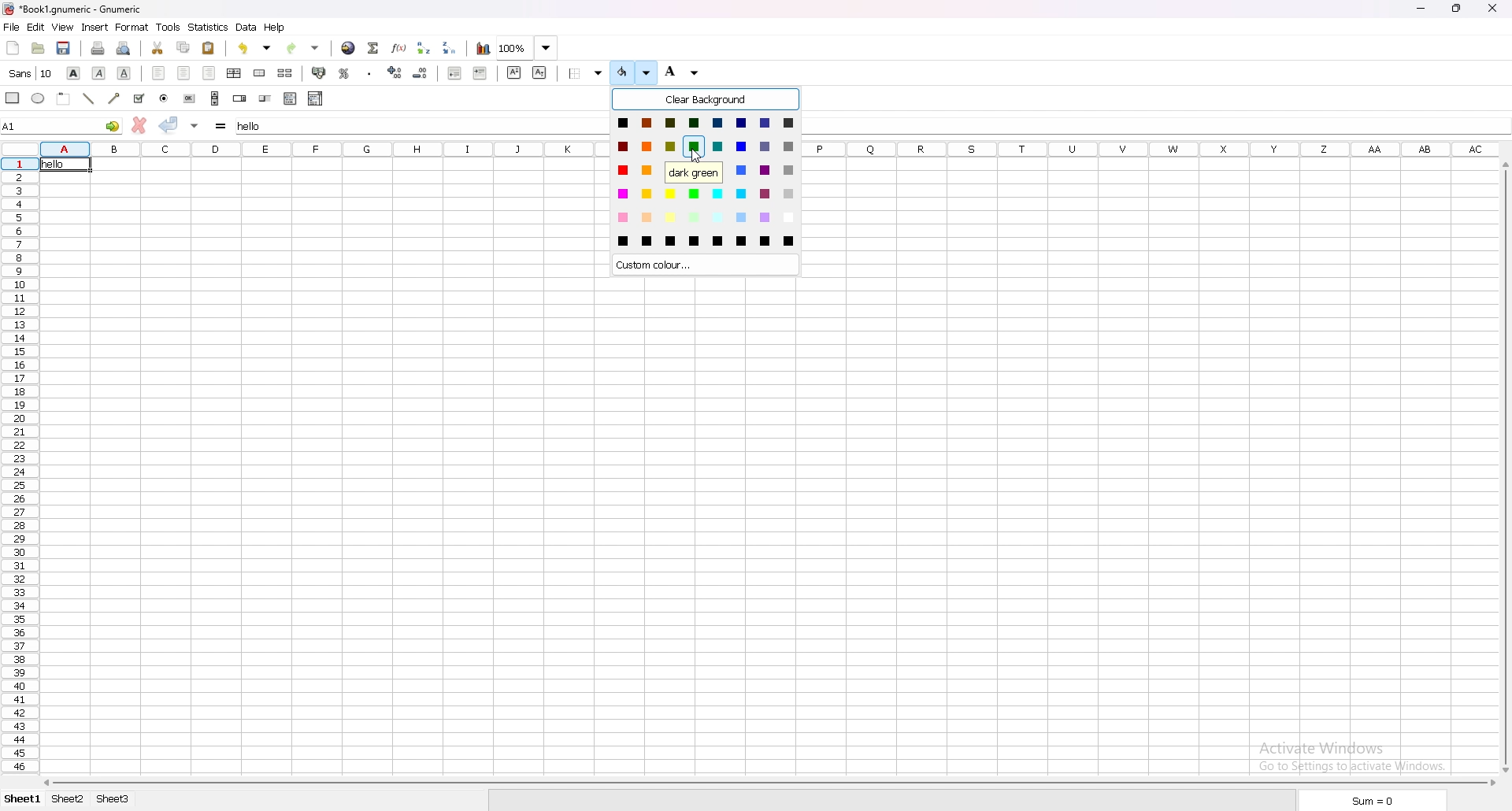  Describe the element at coordinates (139, 98) in the screenshot. I see `checkbox` at that location.